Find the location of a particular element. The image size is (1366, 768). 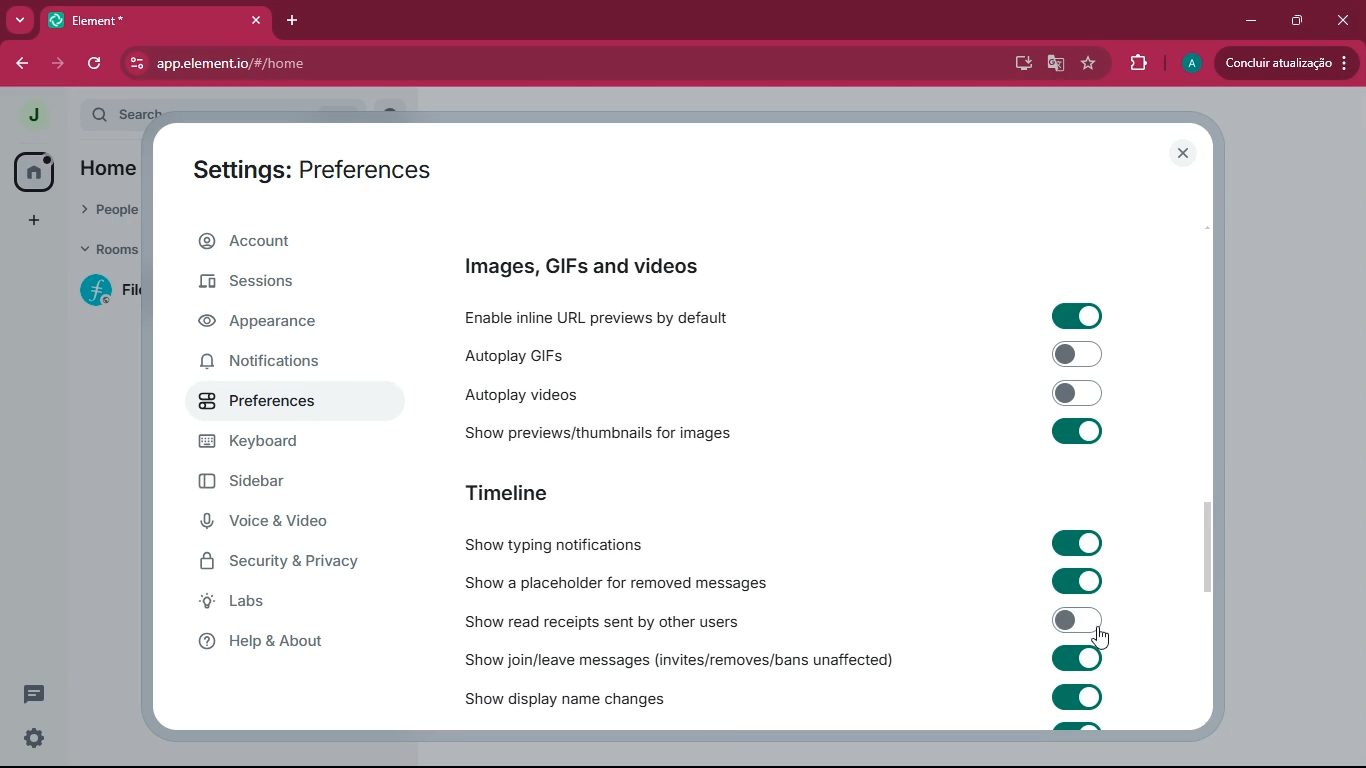

threads is located at coordinates (34, 694).